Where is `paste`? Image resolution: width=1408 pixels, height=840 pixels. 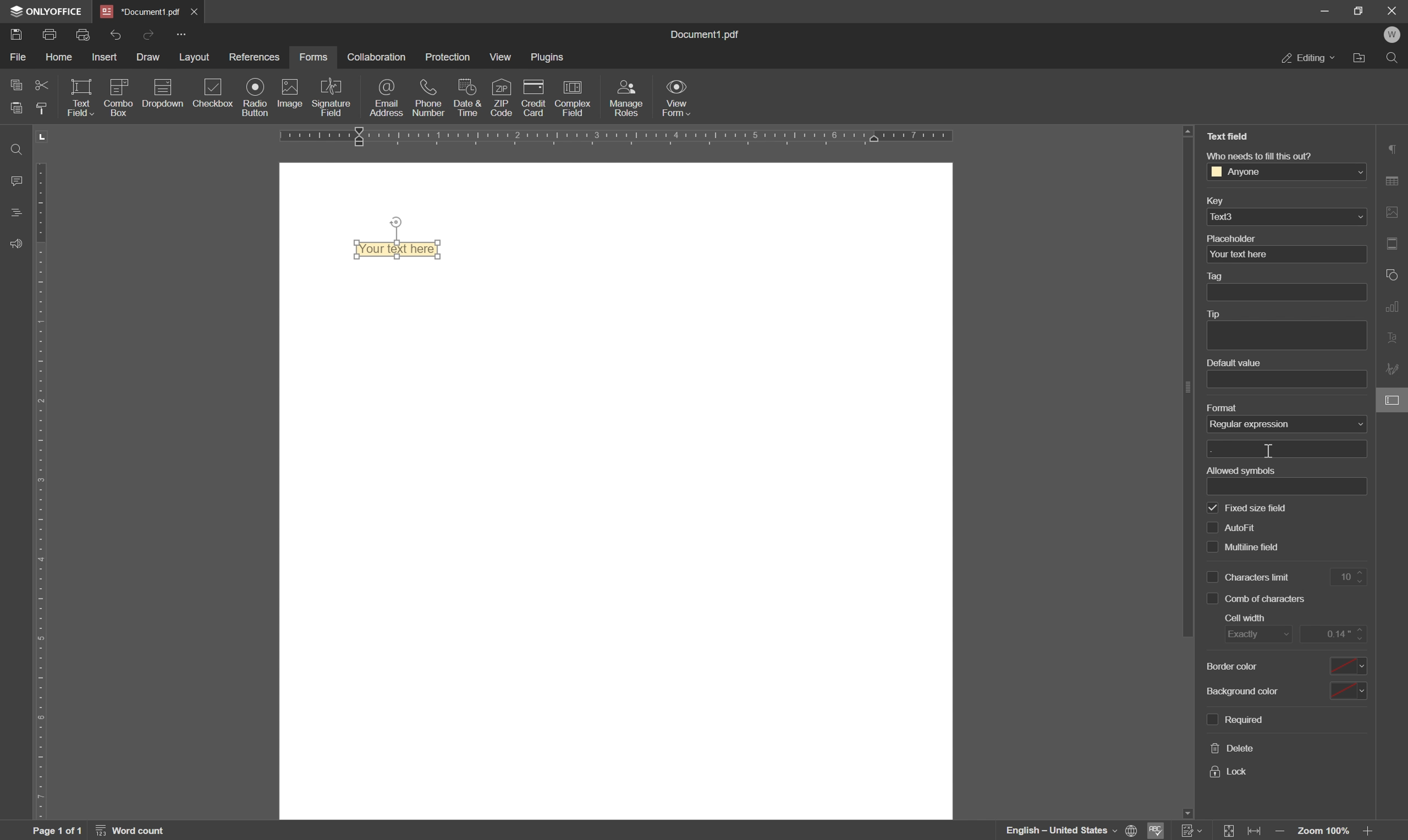 paste is located at coordinates (17, 107).